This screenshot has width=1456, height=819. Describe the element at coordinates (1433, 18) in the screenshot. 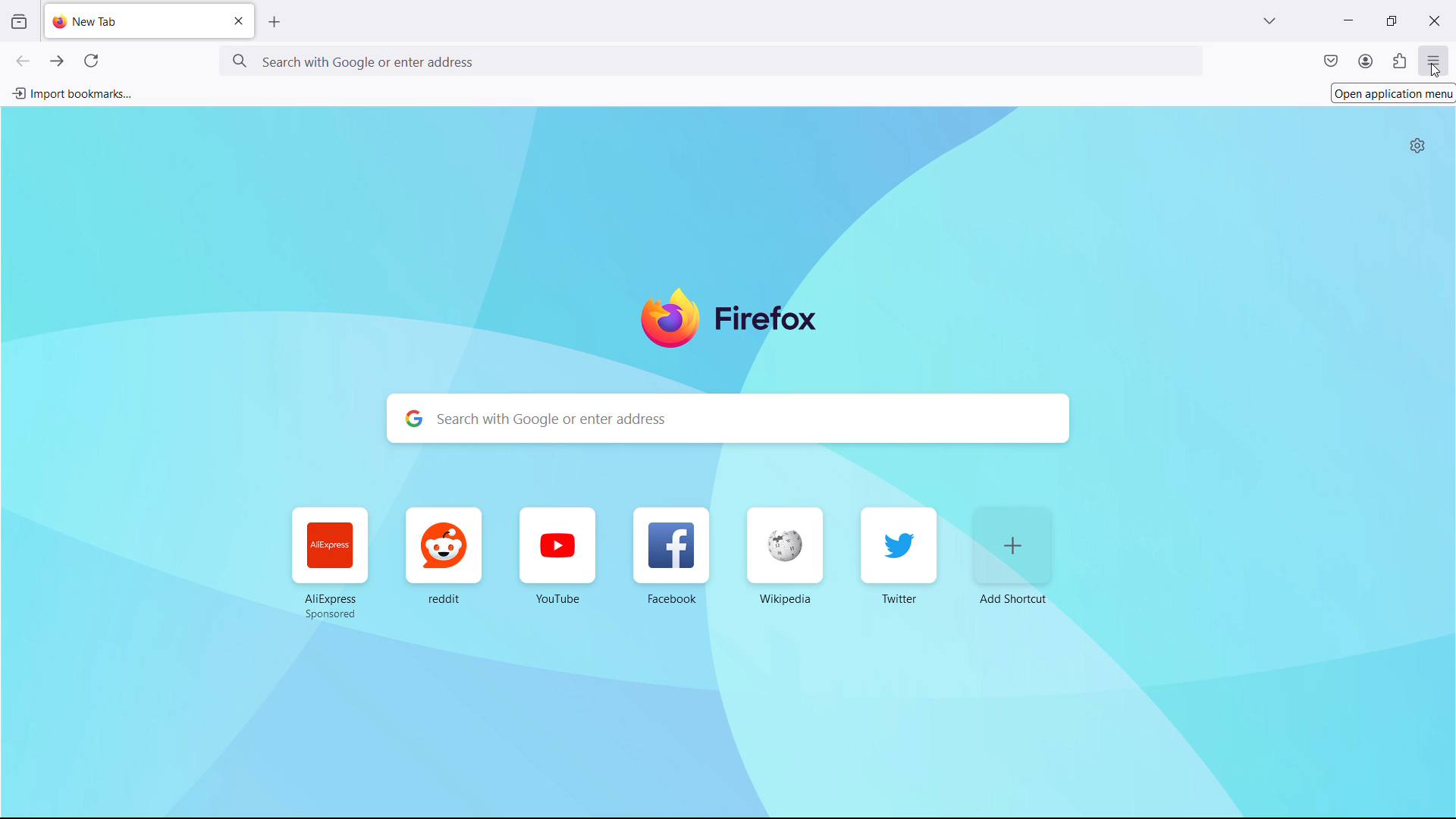

I see `close` at that location.